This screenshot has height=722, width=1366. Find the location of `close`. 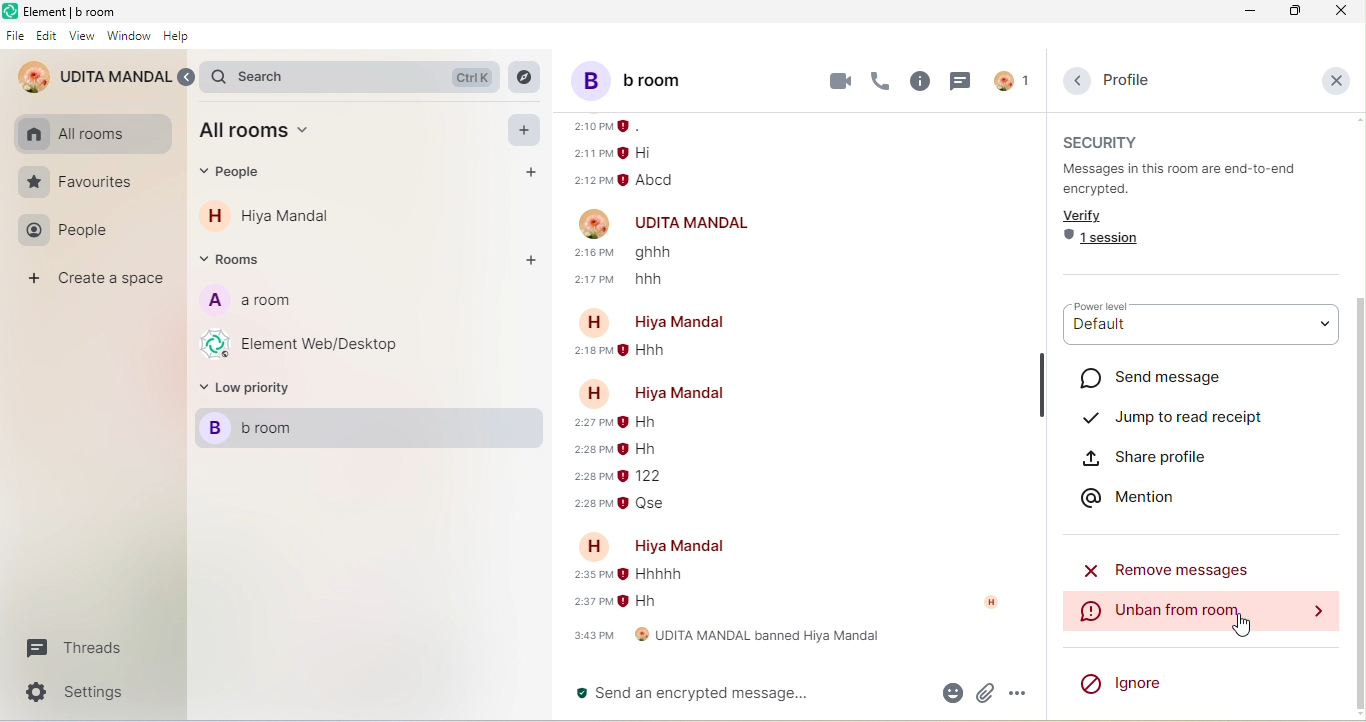

close is located at coordinates (1336, 79).